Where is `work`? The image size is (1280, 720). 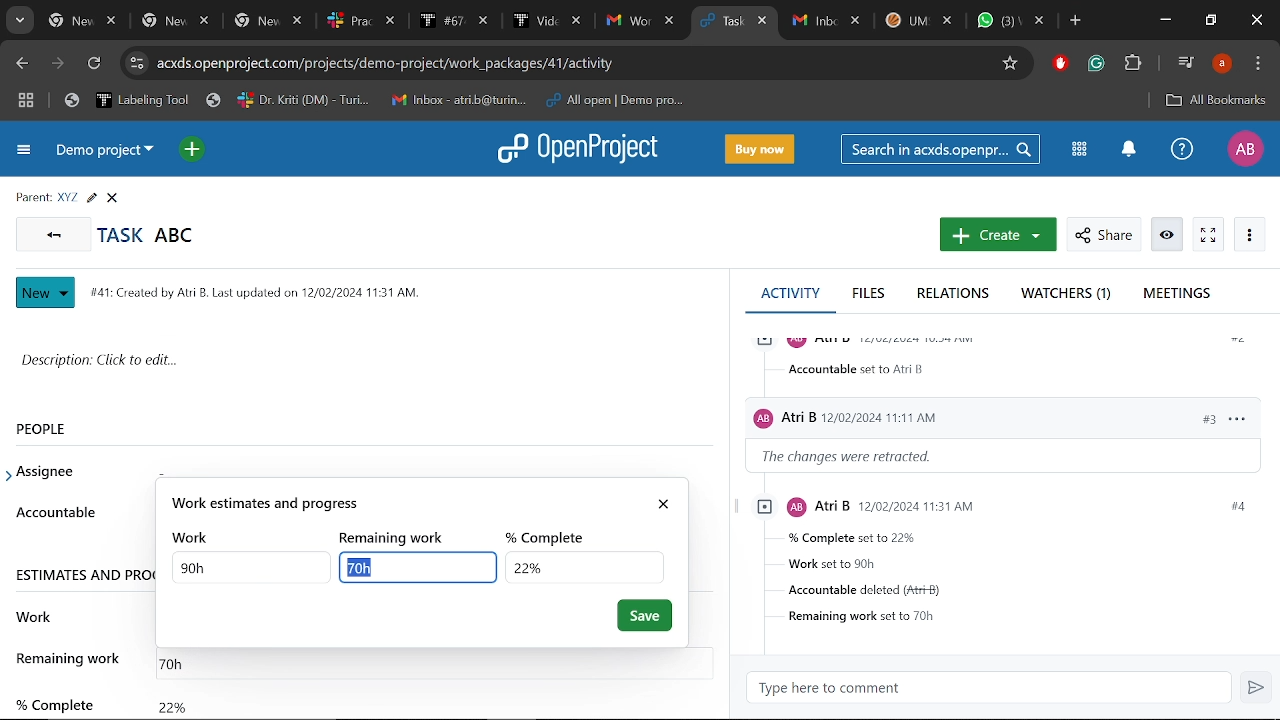 work is located at coordinates (35, 614).